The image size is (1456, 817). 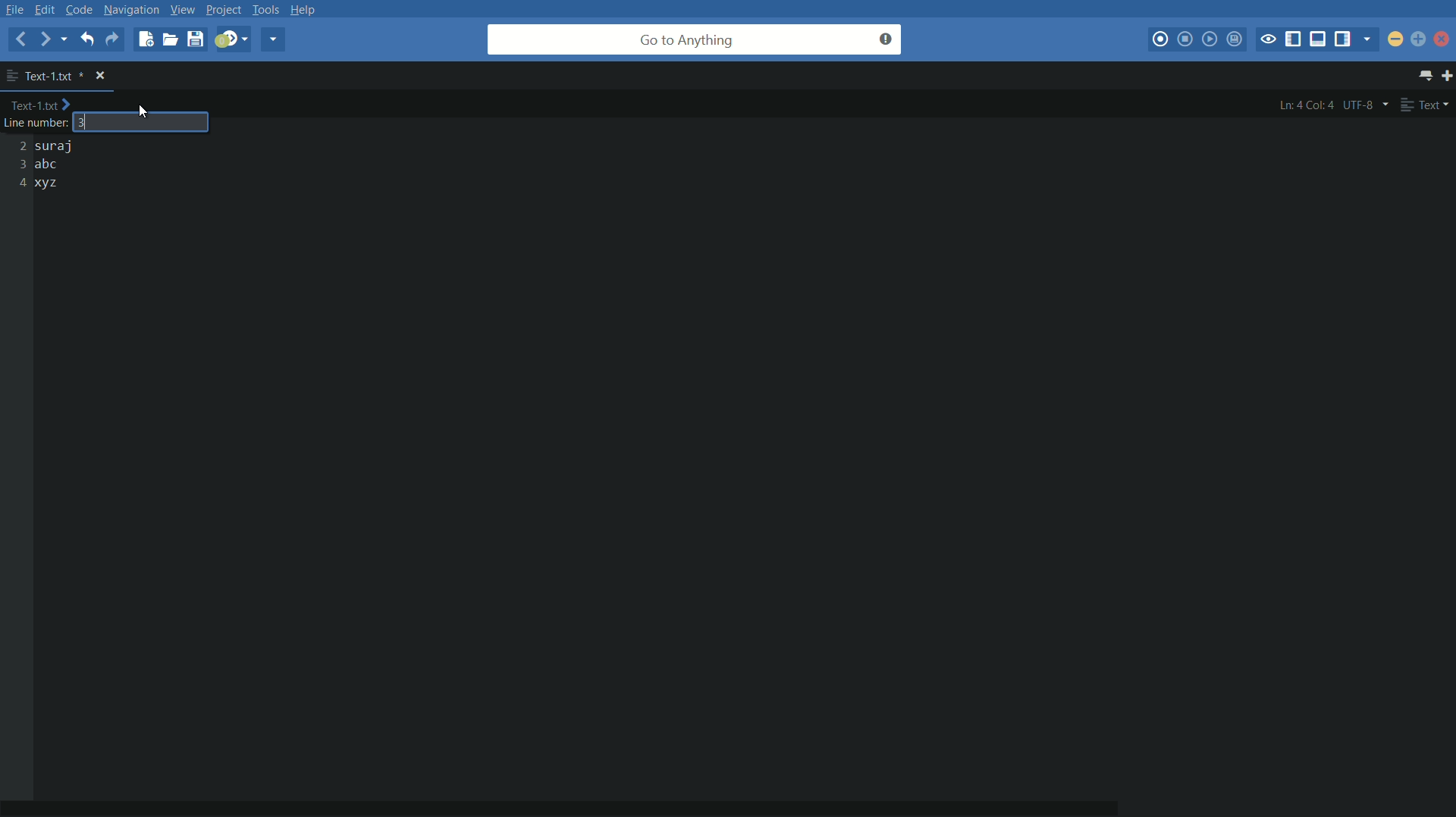 What do you see at coordinates (1426, 105) in the screenshot?
I see `text` at bounding box center [1426, 105].